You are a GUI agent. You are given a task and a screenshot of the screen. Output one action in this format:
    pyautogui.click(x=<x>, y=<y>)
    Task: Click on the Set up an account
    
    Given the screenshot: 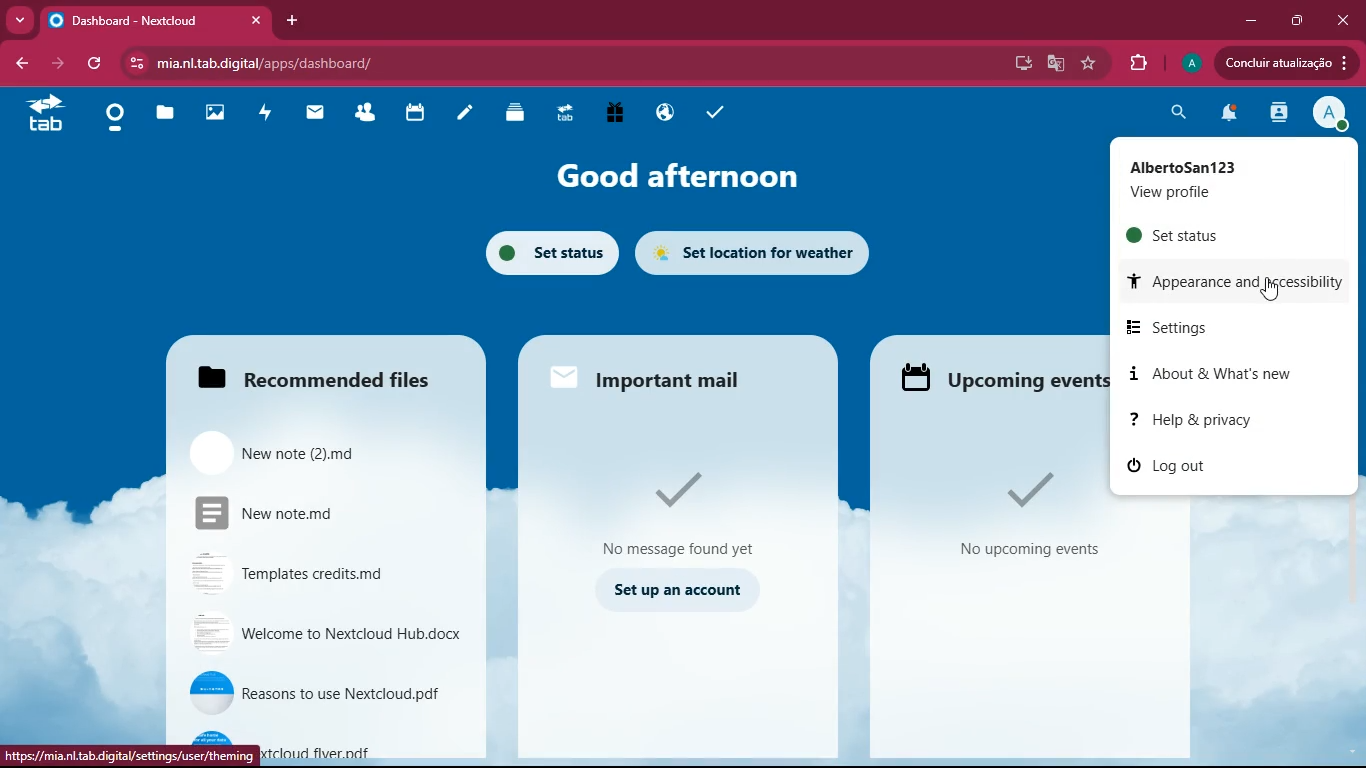 What is the action you would take?
    pyautogui.click(x=672, y=590)
    